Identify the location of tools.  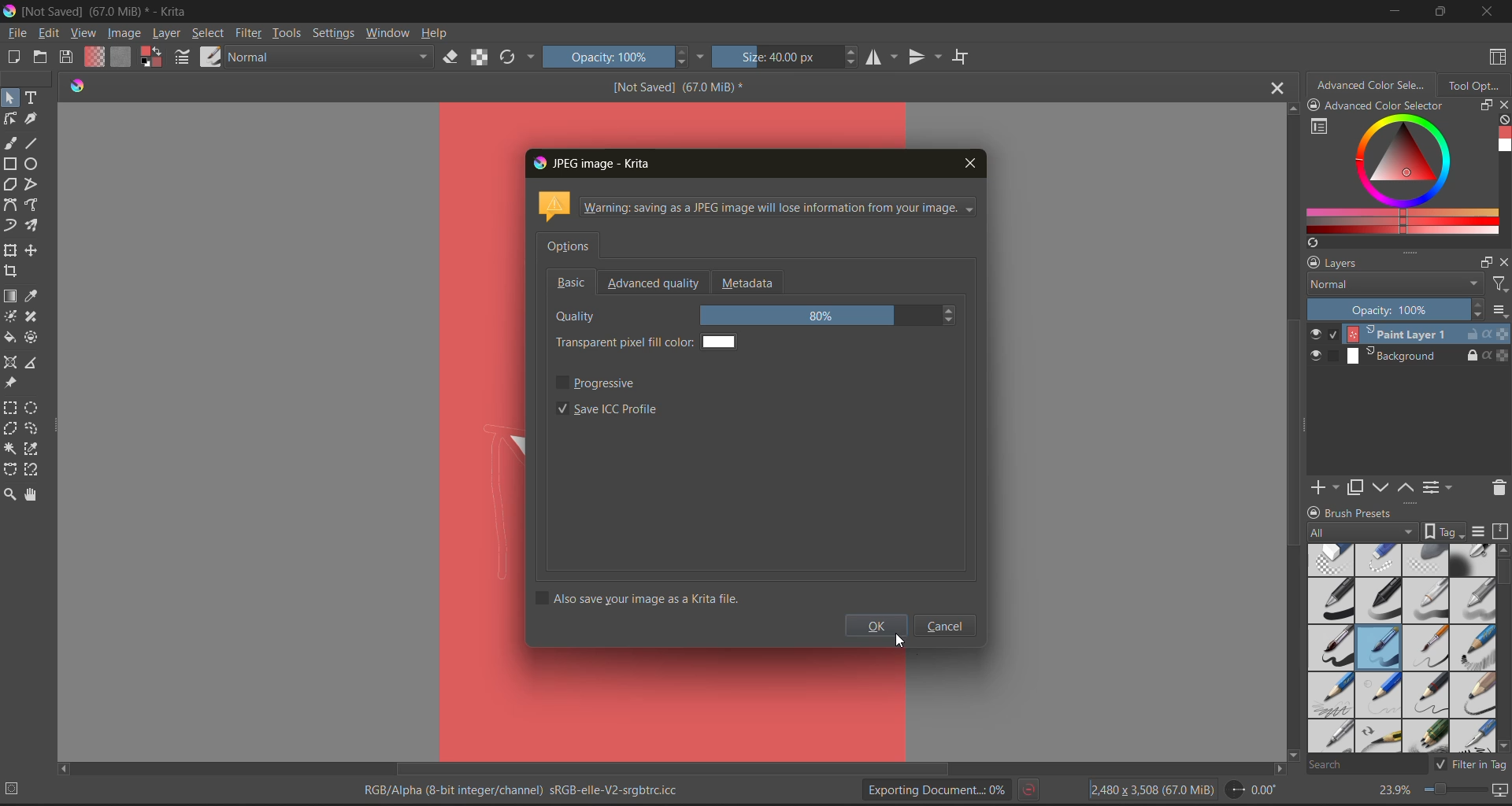
(33, 298).